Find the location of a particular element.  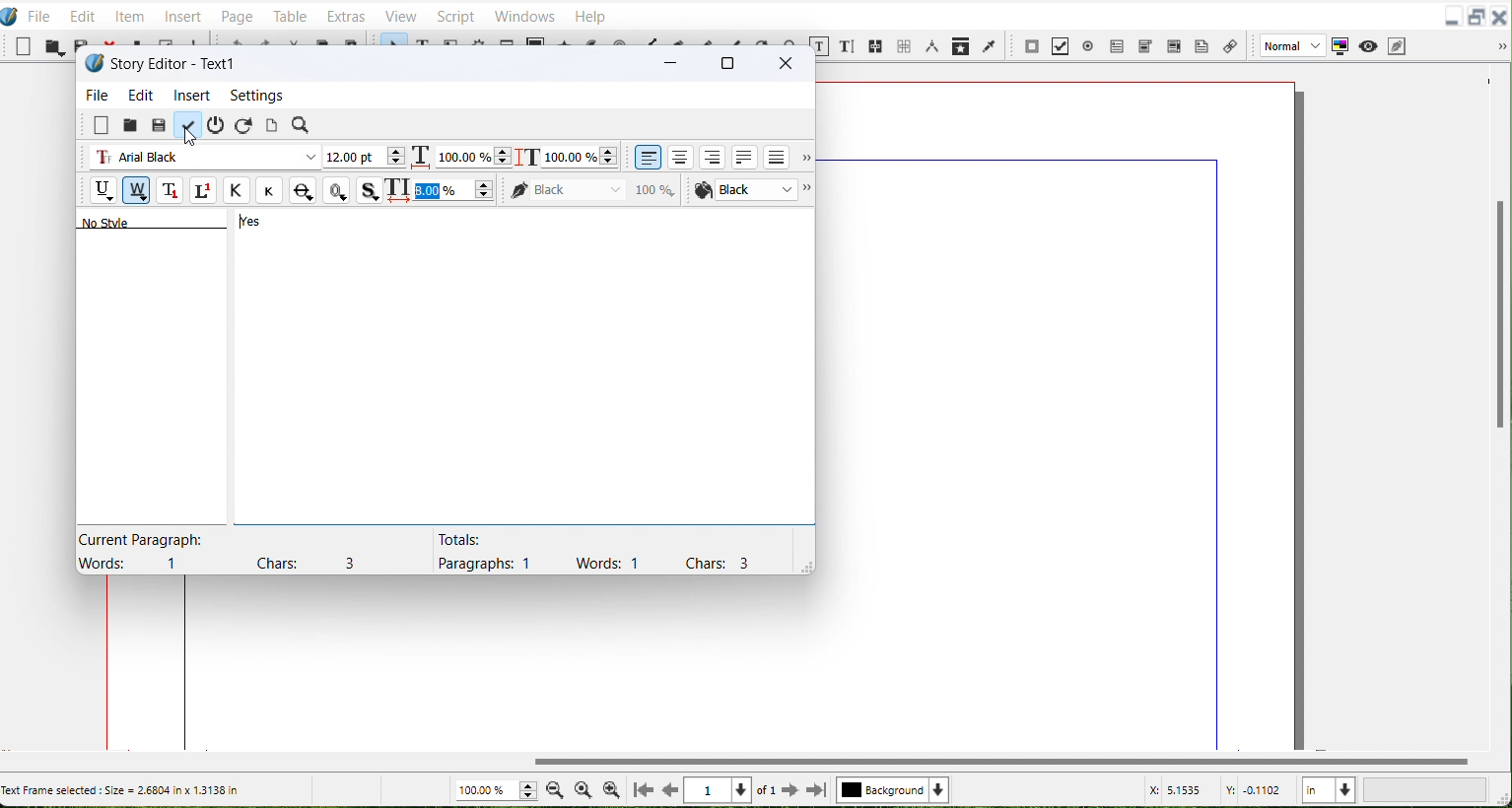

Select Current layer is located at coordinates (896, 790).